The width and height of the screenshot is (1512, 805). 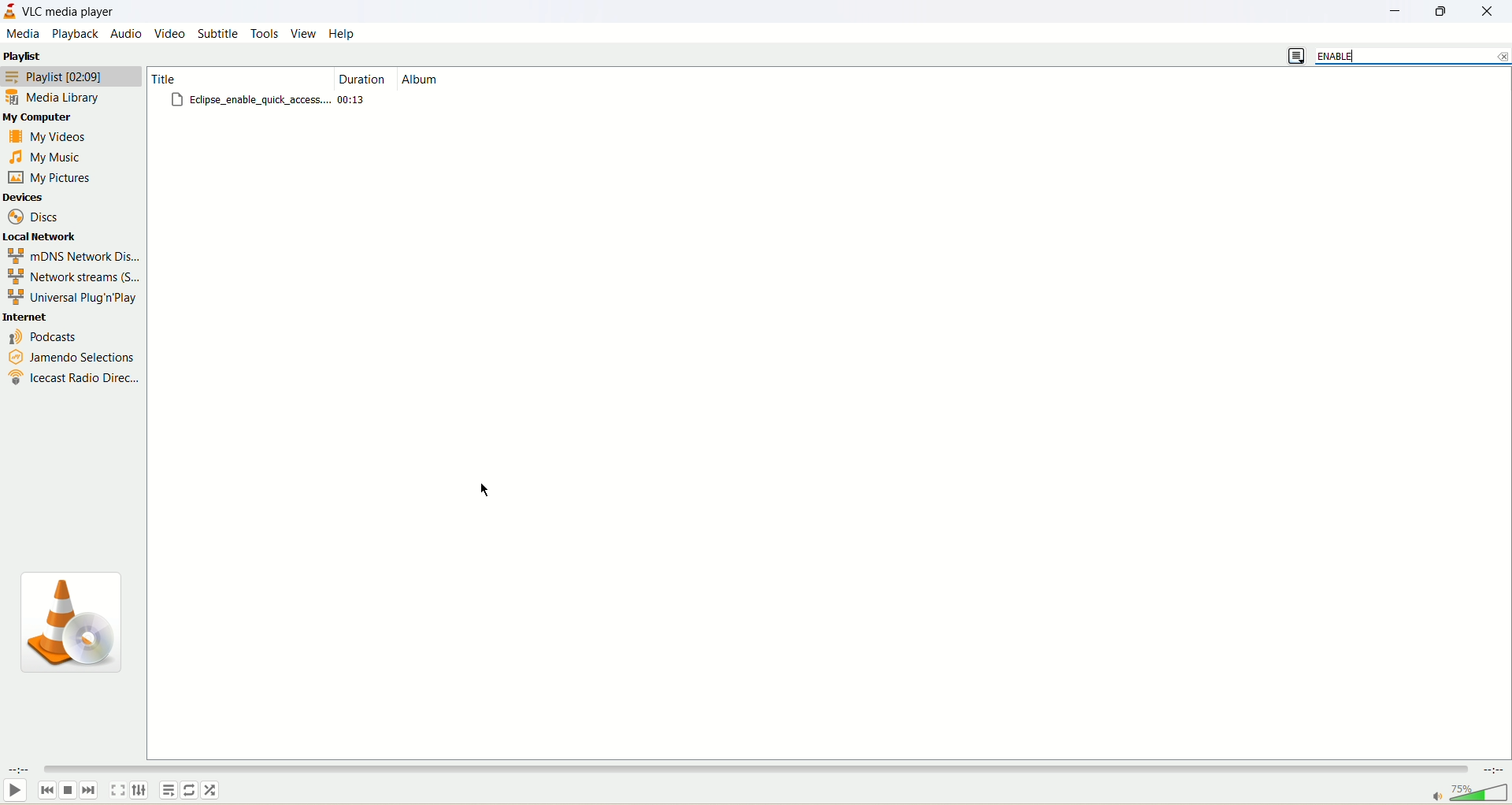 What do you see at coordinates (72, 624) in the screenshot?
I see `icon` at bounding box center [72, 624].